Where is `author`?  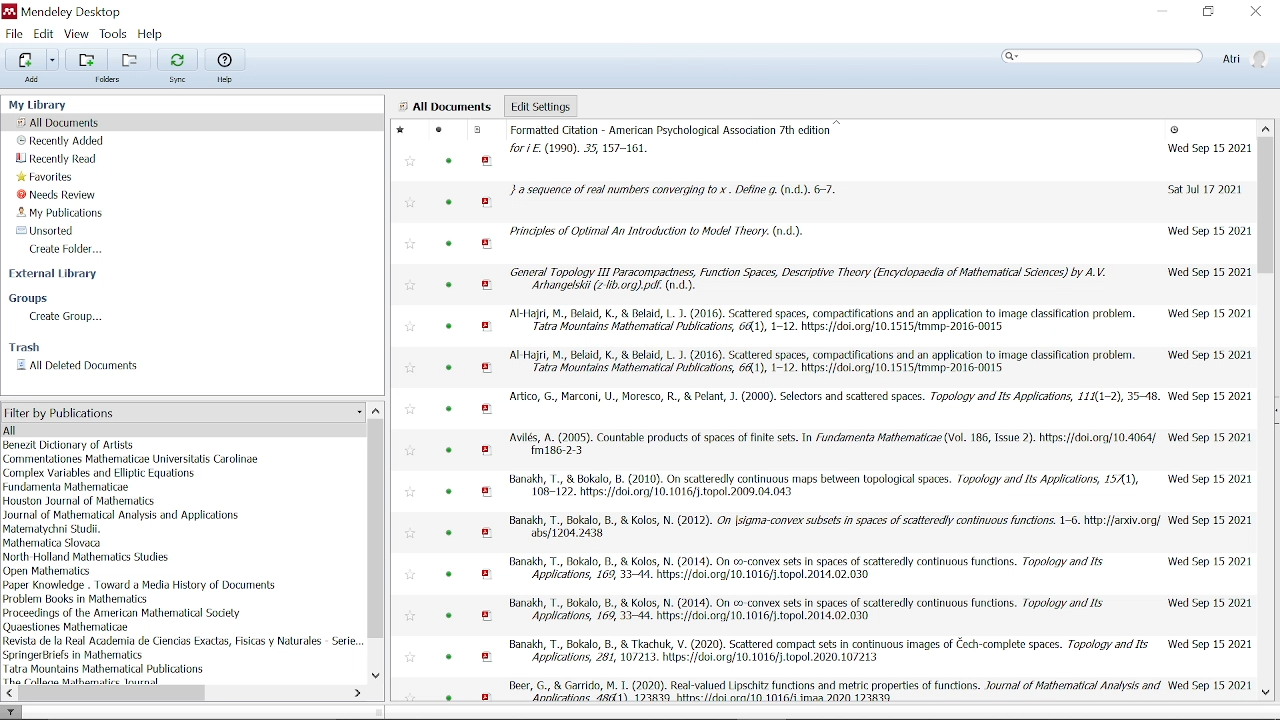
author is located at coordinates (121, 515).